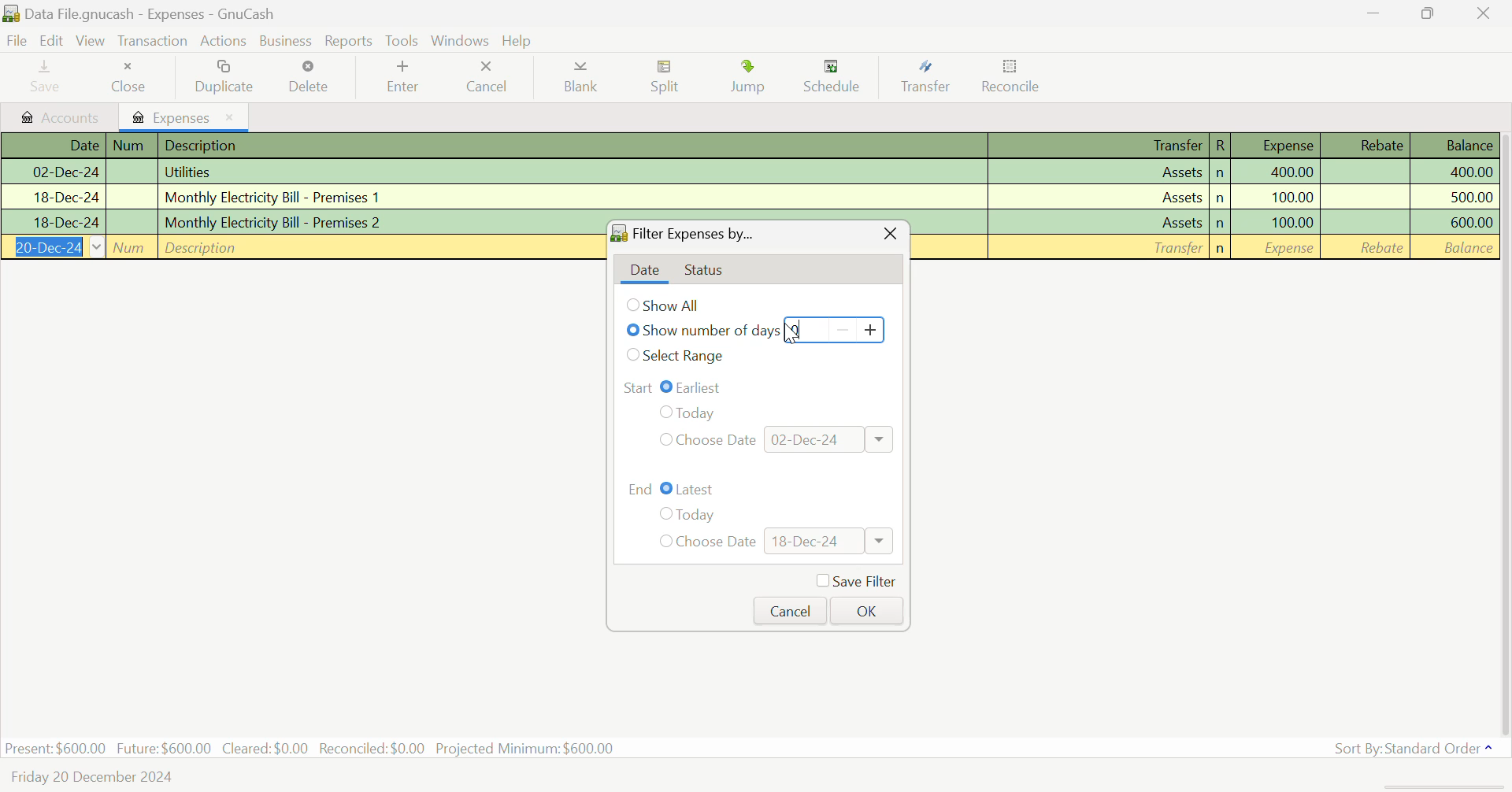 The width and height of the screenshot is (1512, 792). Describe the element at coordinates (776, 542) in the screenshot. I see `Choose Date: 18-Dec-24` at that location.